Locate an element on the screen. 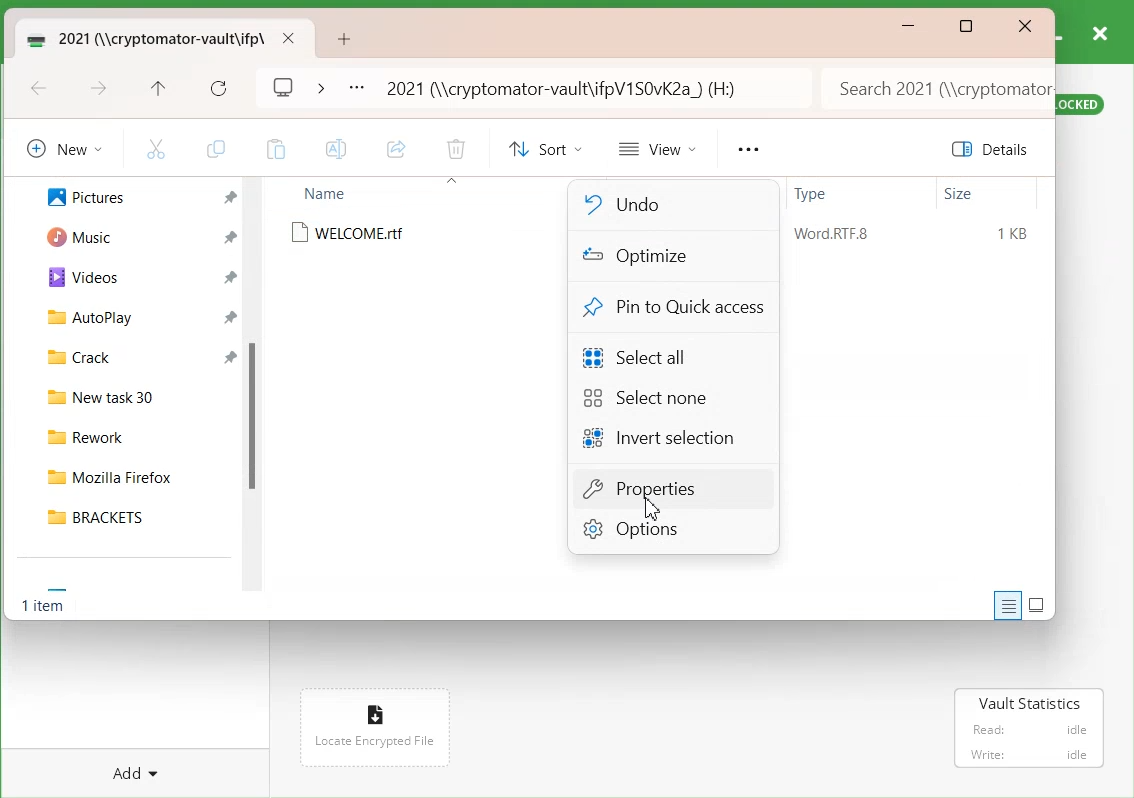  close is located at coordinates (288, 38).